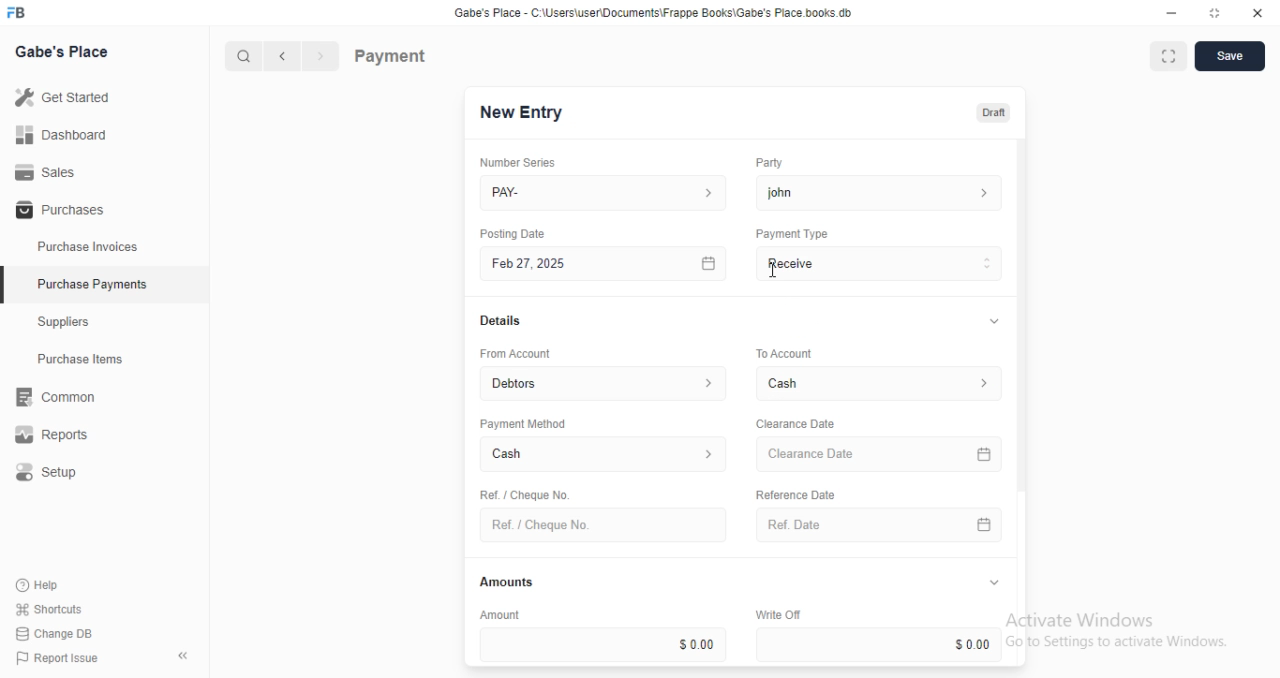 The height and width of the screenshot is (678, 1280). What do you see at coordinates (22, 13) in the screenshot?
I see `logo` at bounding box center [22, 13].